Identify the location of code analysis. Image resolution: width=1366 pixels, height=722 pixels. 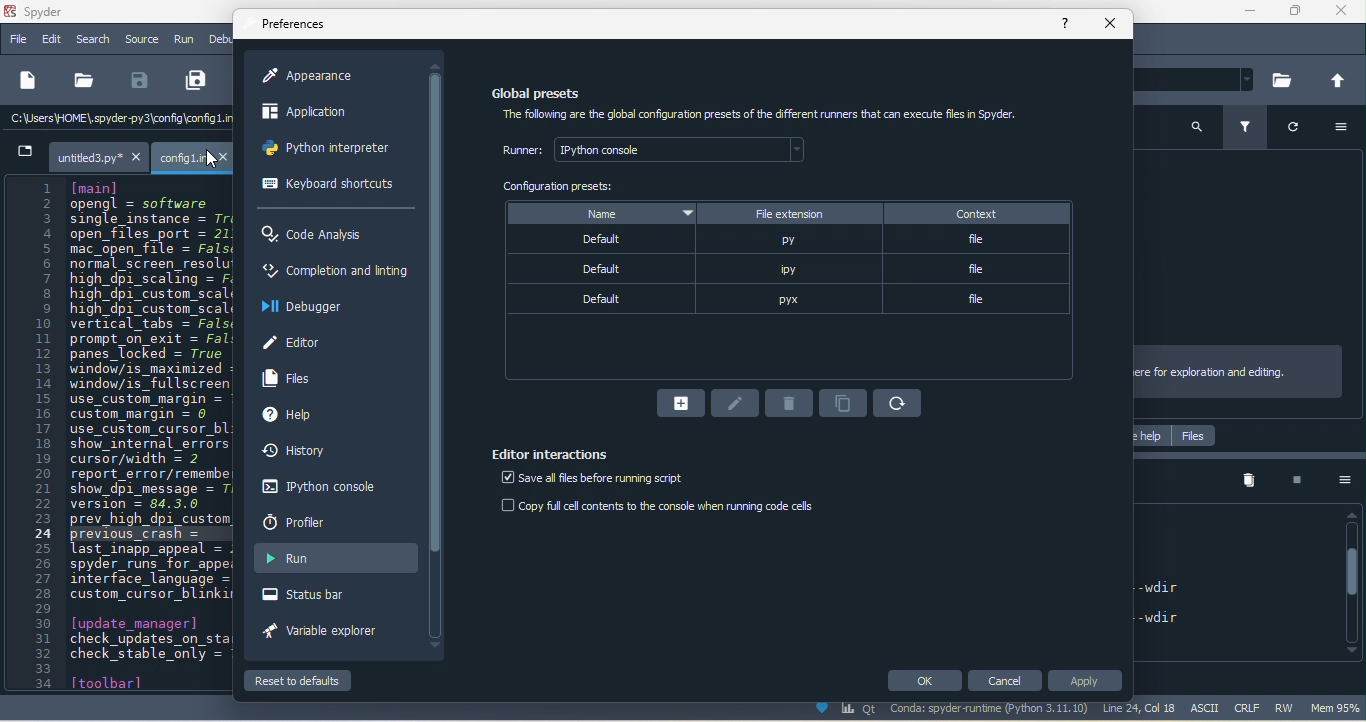
(314, 234).